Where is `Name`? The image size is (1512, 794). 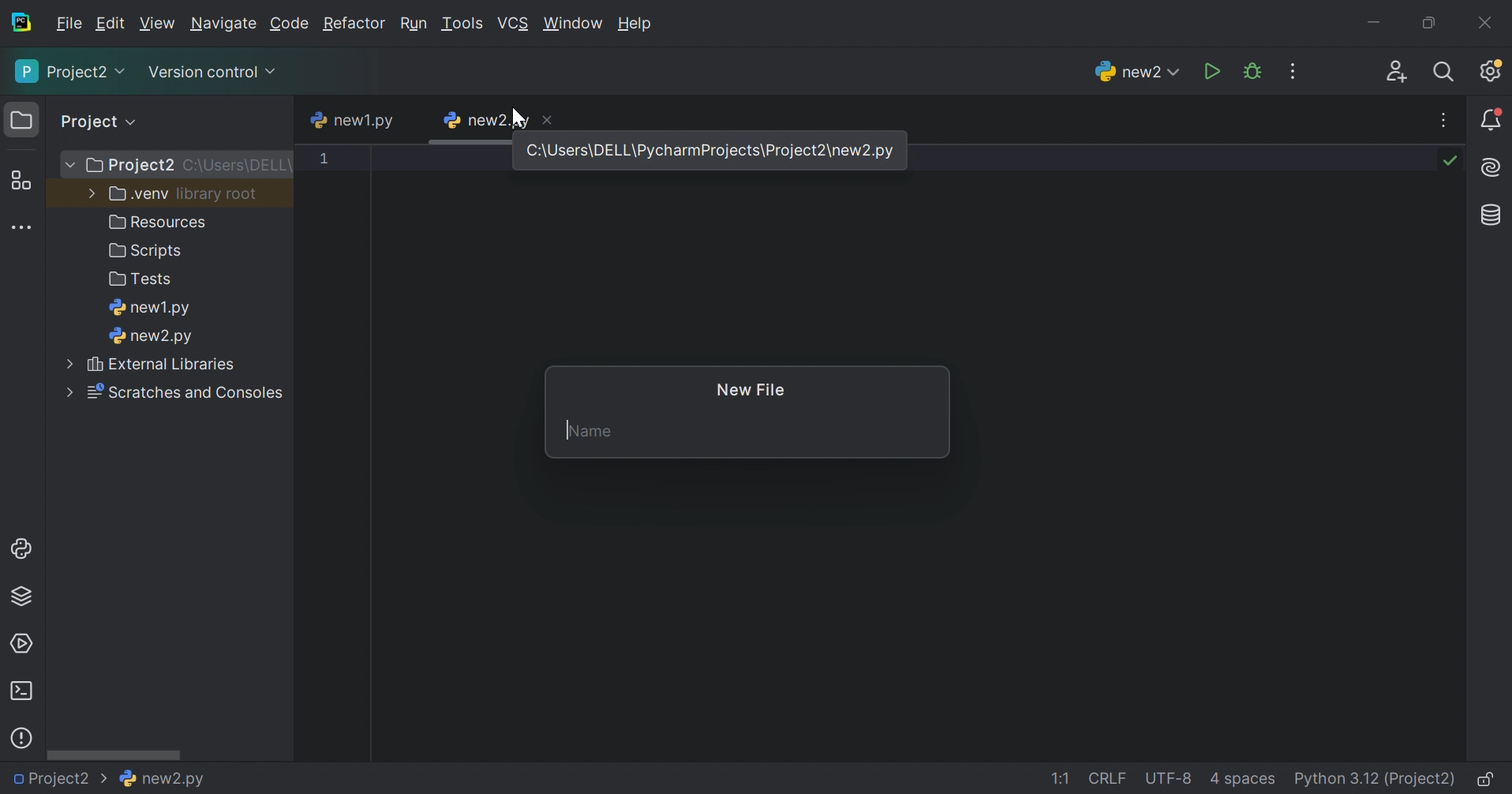 Name is located at coordinates (590, 431).